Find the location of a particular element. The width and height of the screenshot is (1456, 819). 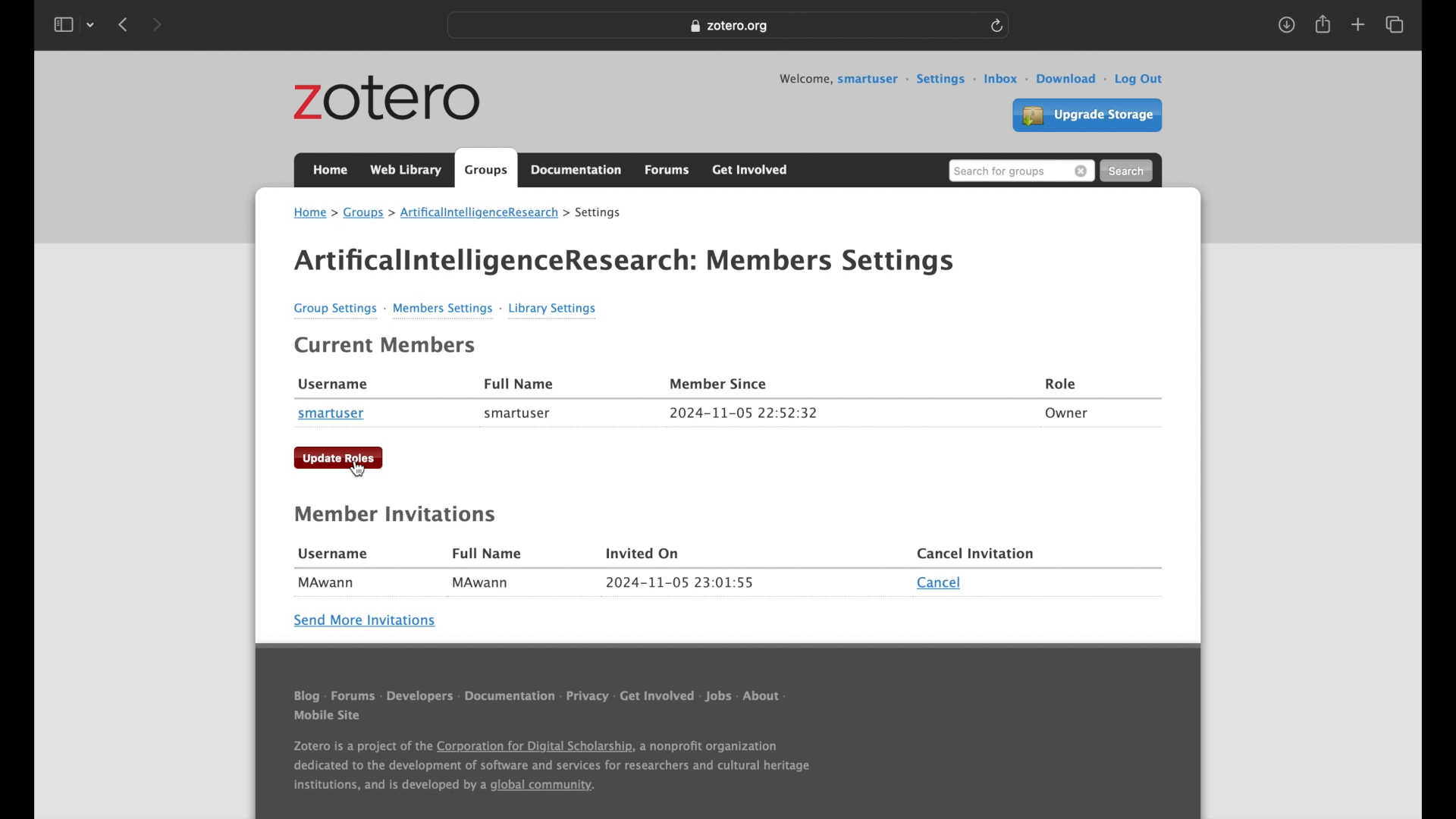

search is located at coordinates (1128, 171).